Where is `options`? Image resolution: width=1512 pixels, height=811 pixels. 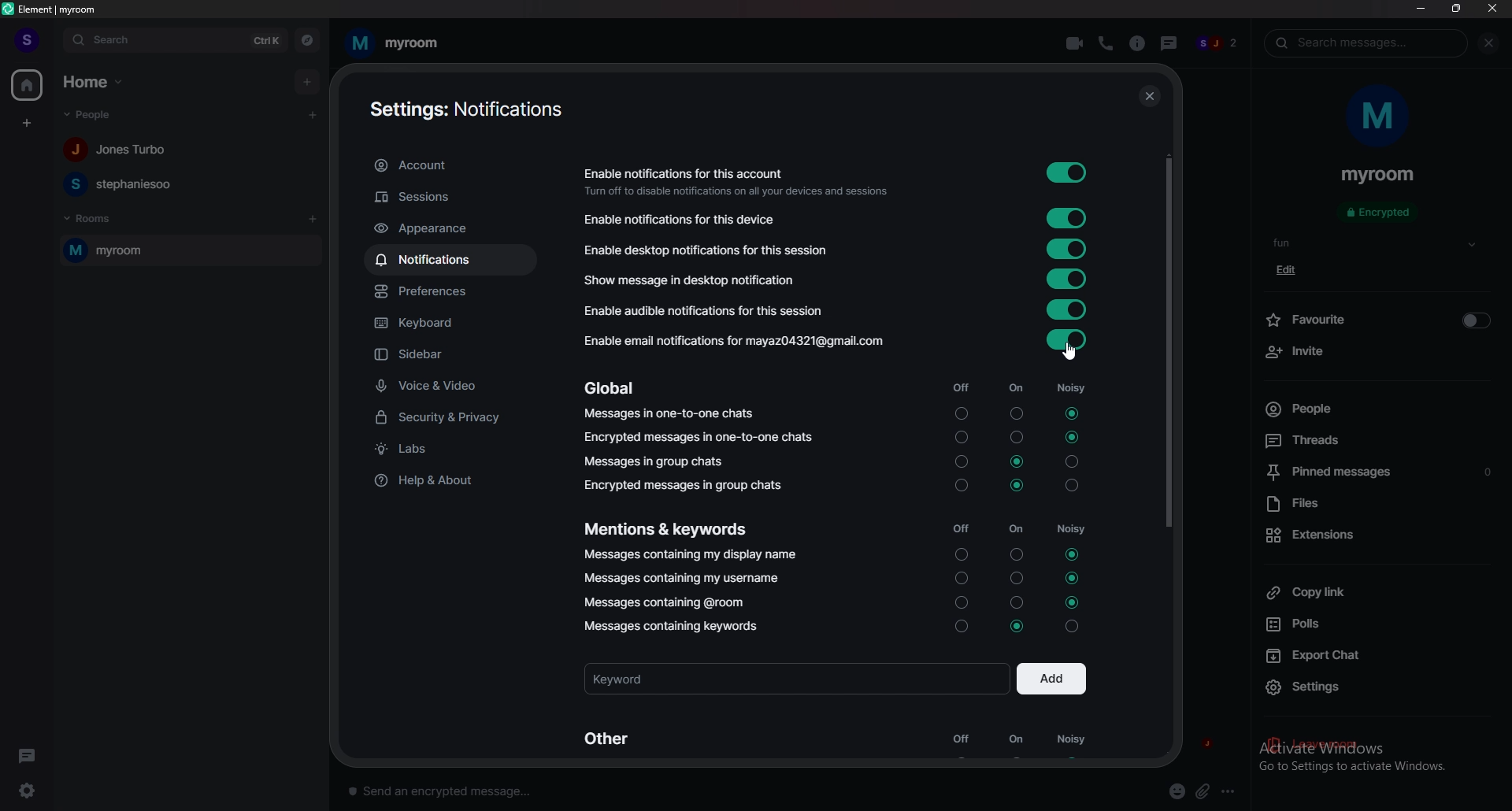 options is located at coordinates (1231, 791).